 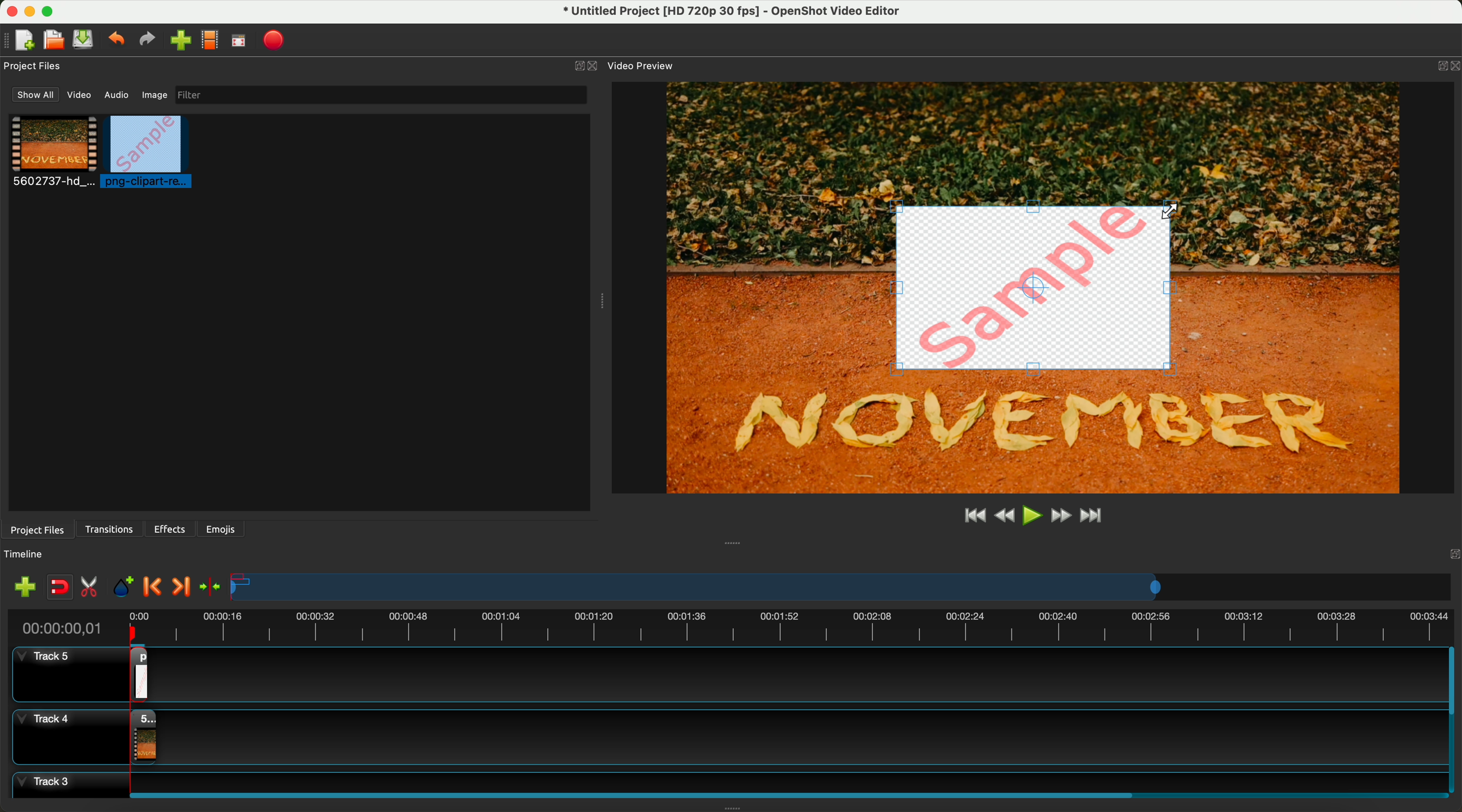 I want to click on center the timeline on the playhead, so click(x=209, y=586).